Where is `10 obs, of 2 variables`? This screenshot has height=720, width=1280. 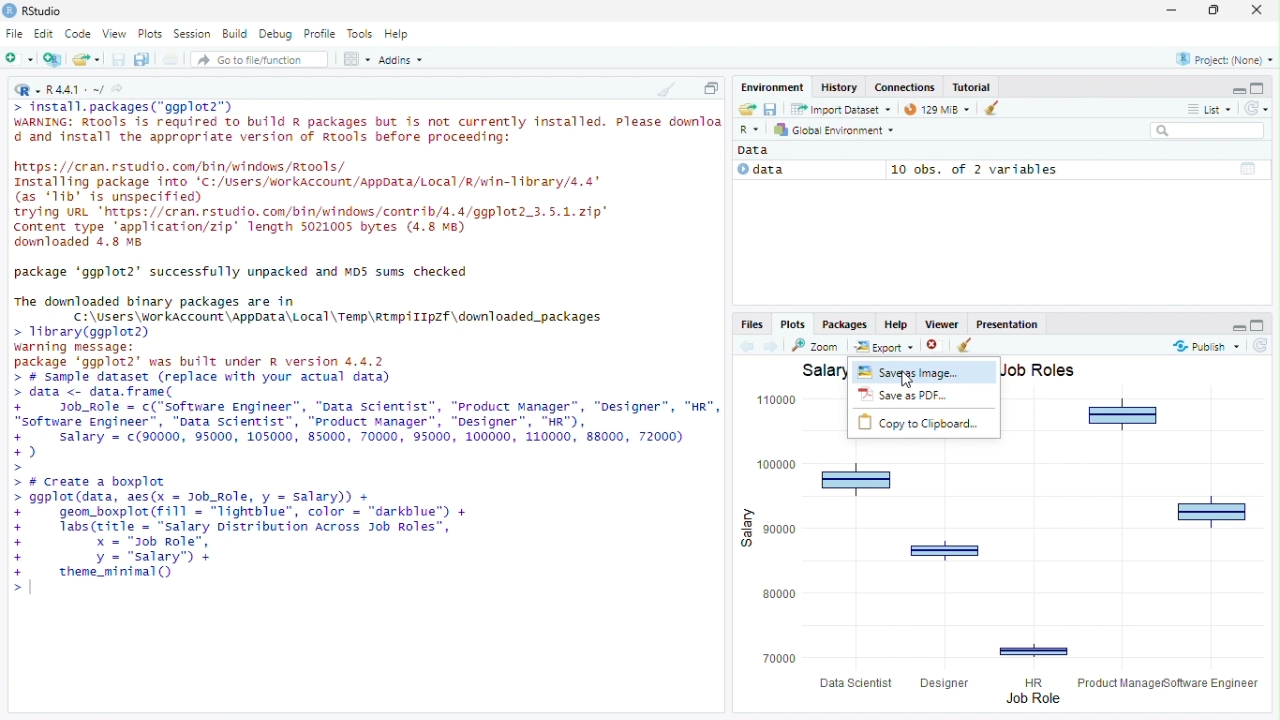
10 obs, of 2 variables is located at coordinates (1078, 169).